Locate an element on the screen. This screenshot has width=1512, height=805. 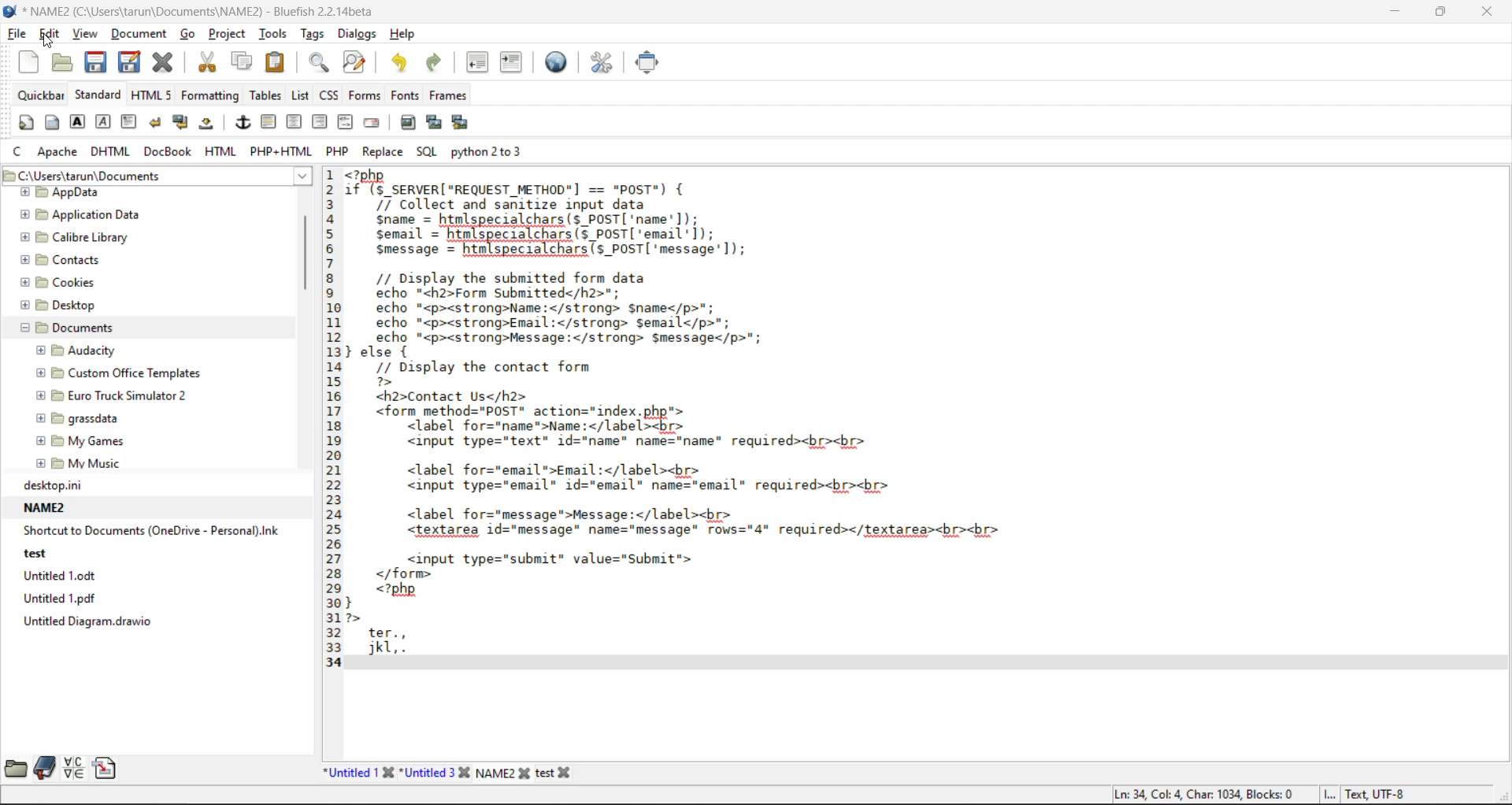
save is located at coordinates (98, 64).